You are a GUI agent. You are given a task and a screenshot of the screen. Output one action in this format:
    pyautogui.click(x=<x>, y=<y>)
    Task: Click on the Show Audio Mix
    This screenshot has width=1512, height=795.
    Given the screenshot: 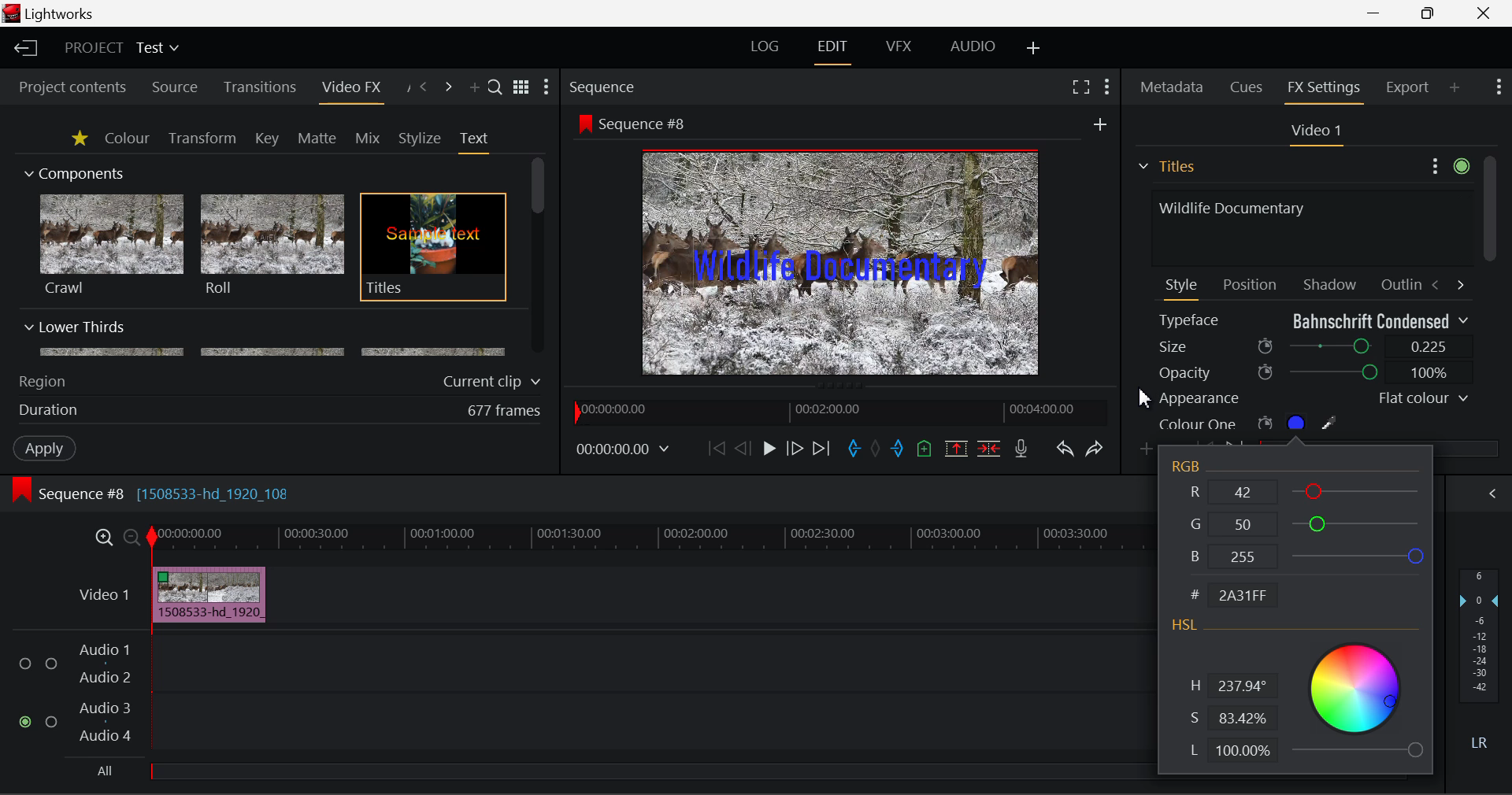 What is the action you would take?
    pyautogui.click(x=1490, y=494)
    